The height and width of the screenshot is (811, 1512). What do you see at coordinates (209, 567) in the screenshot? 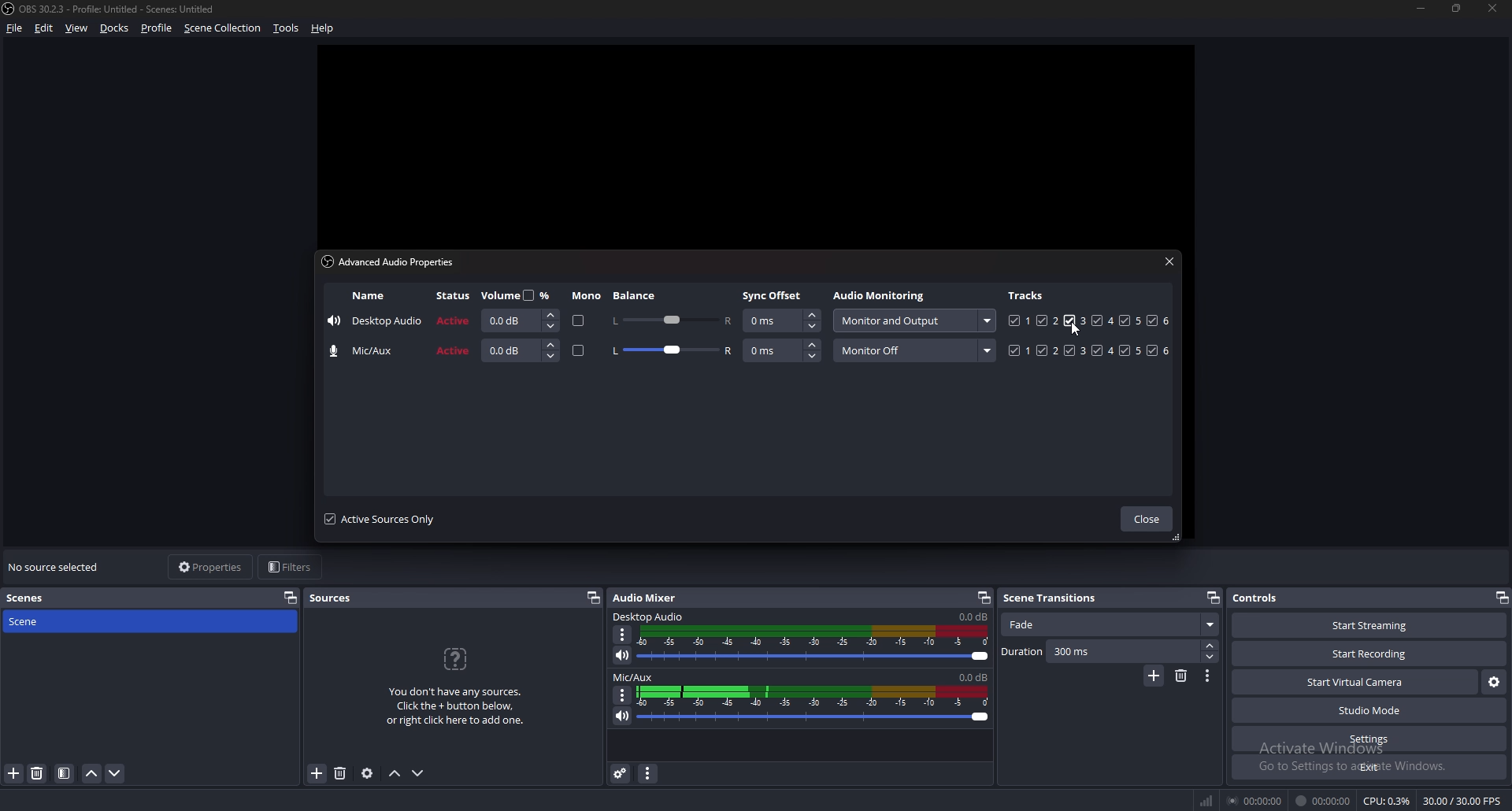
I see `properties` at bounding box center [209, 567].